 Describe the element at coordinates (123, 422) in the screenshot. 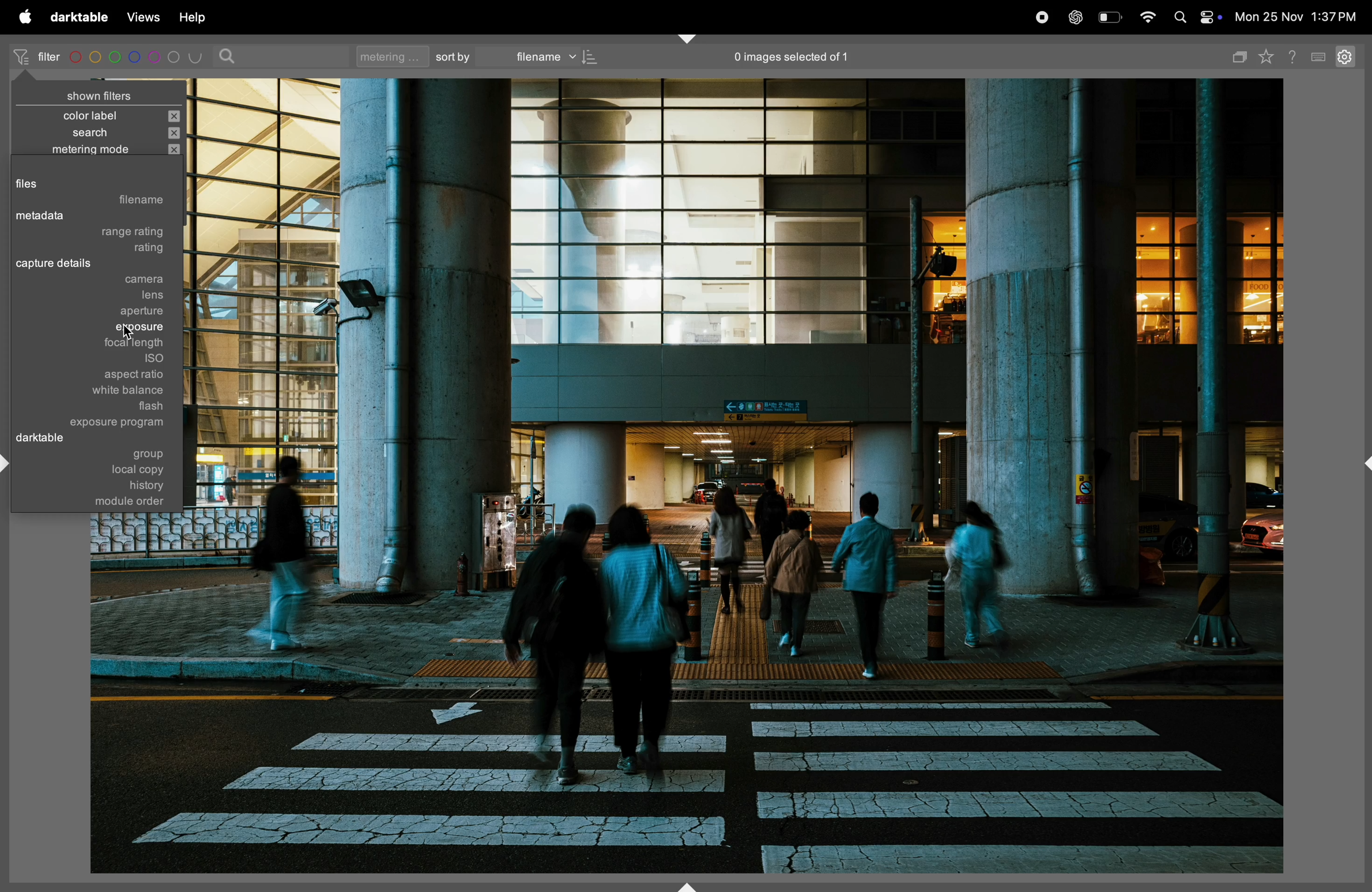

I see `explosure program` at that location.